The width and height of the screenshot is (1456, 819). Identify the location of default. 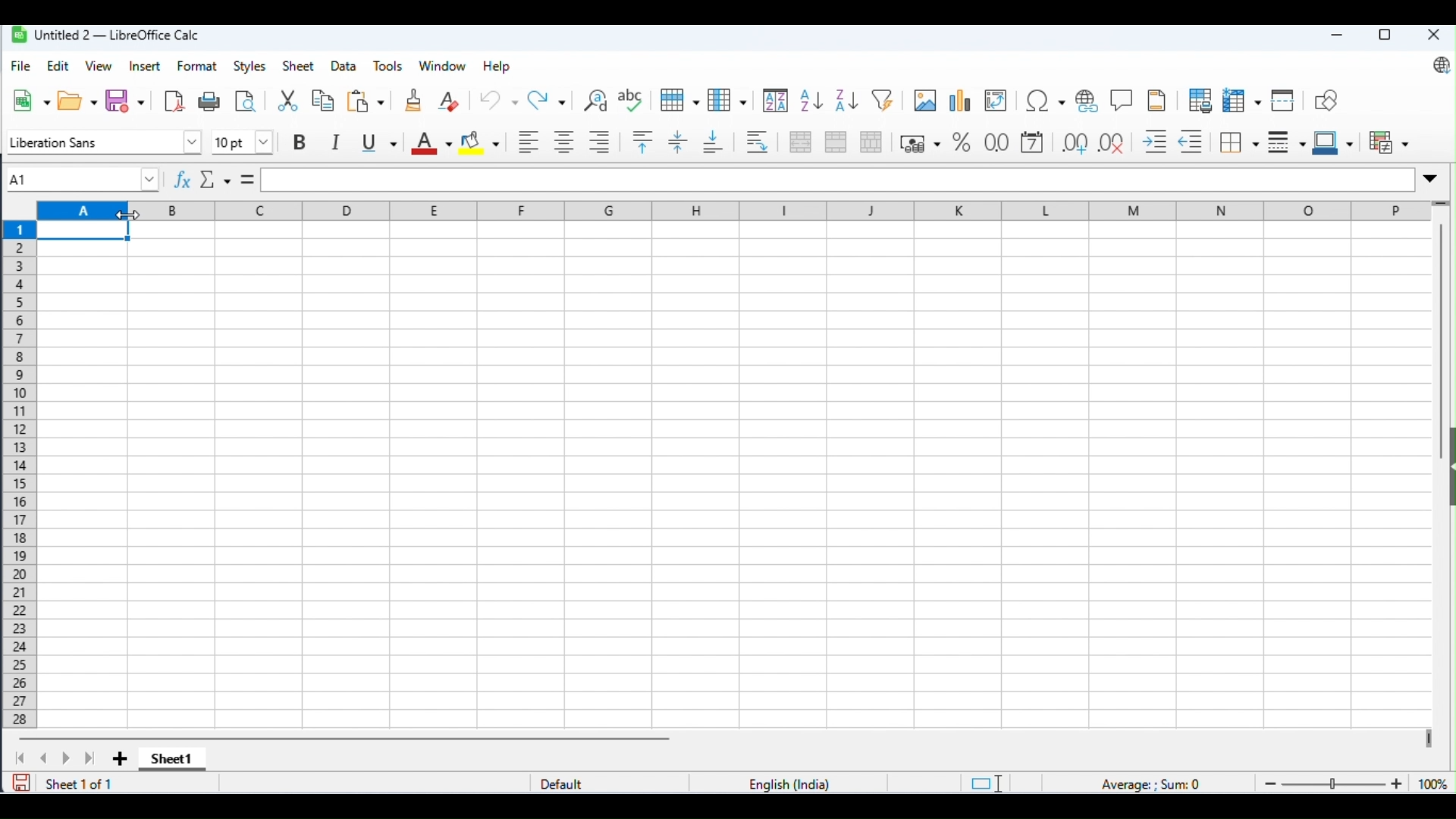
(569, 783).